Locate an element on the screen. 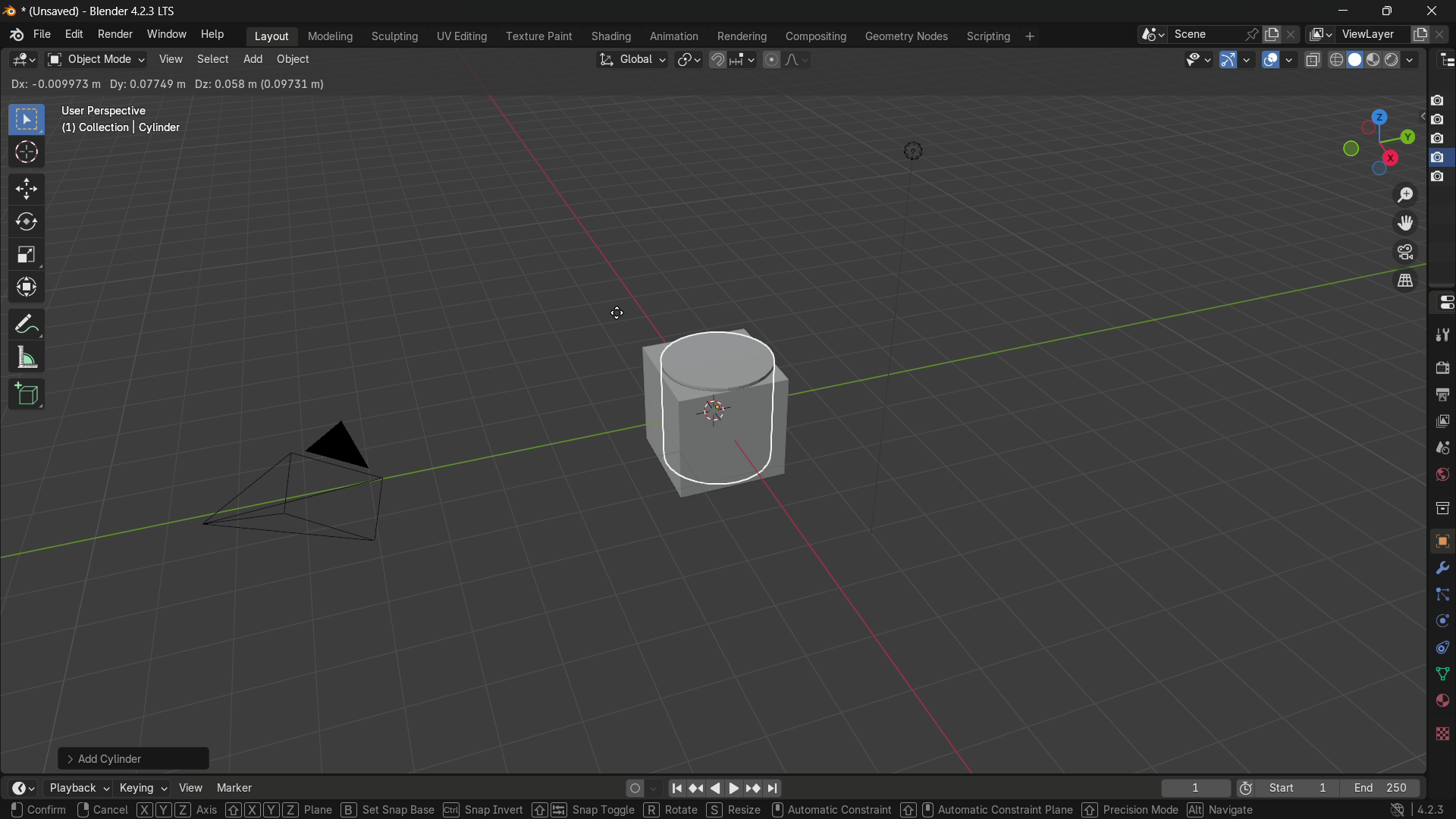 The width and height of the screenshot is (1456, 819). 3d viewport is located at coordinates (23, 60).